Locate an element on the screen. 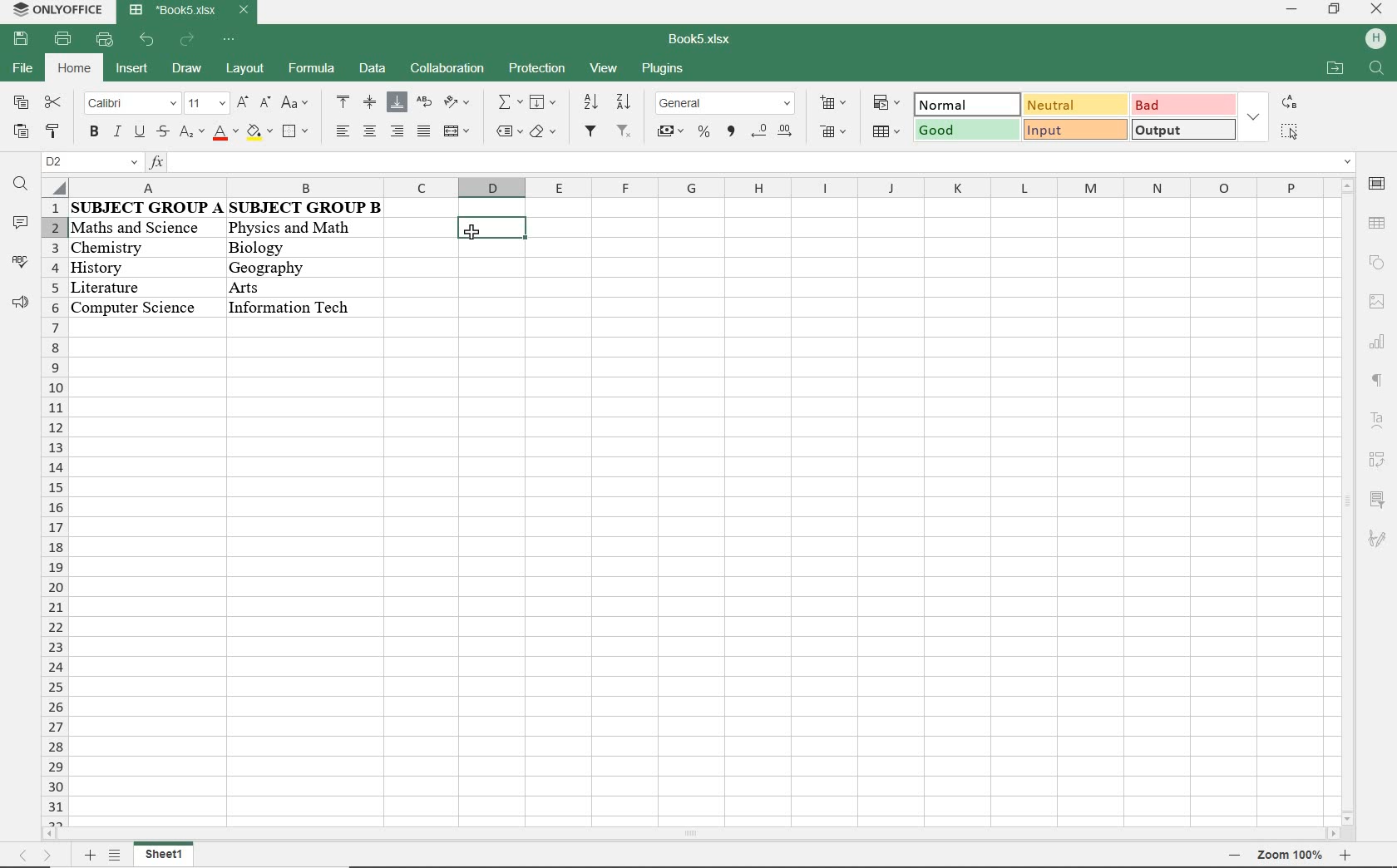 The image size is (1397, 868). minimize is located at coordinates (1290, 9).